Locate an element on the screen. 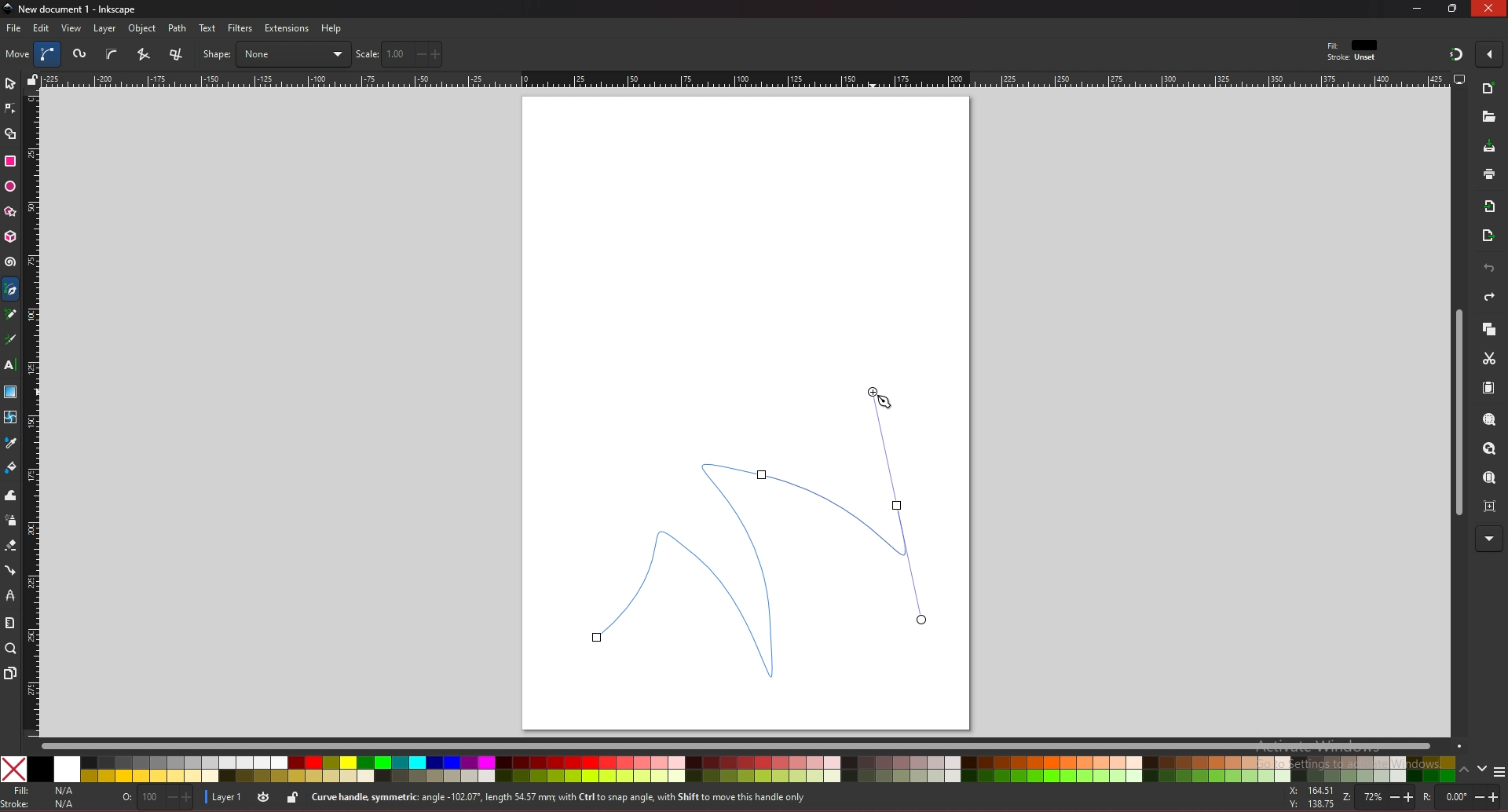  spray is located at coordinates (10, 521).